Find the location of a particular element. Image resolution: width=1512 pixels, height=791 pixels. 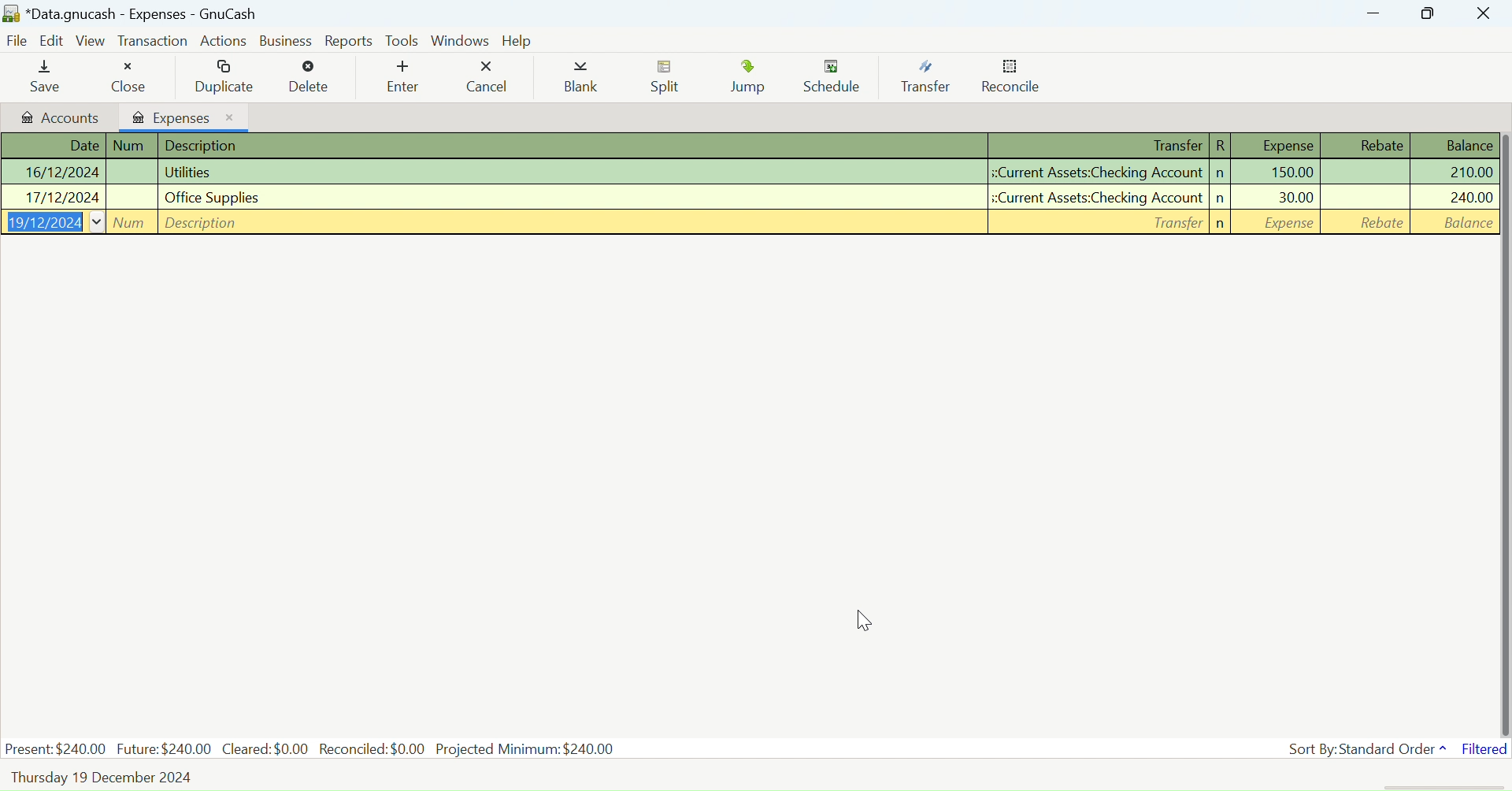

Jump is located at coordinates (751, 80).